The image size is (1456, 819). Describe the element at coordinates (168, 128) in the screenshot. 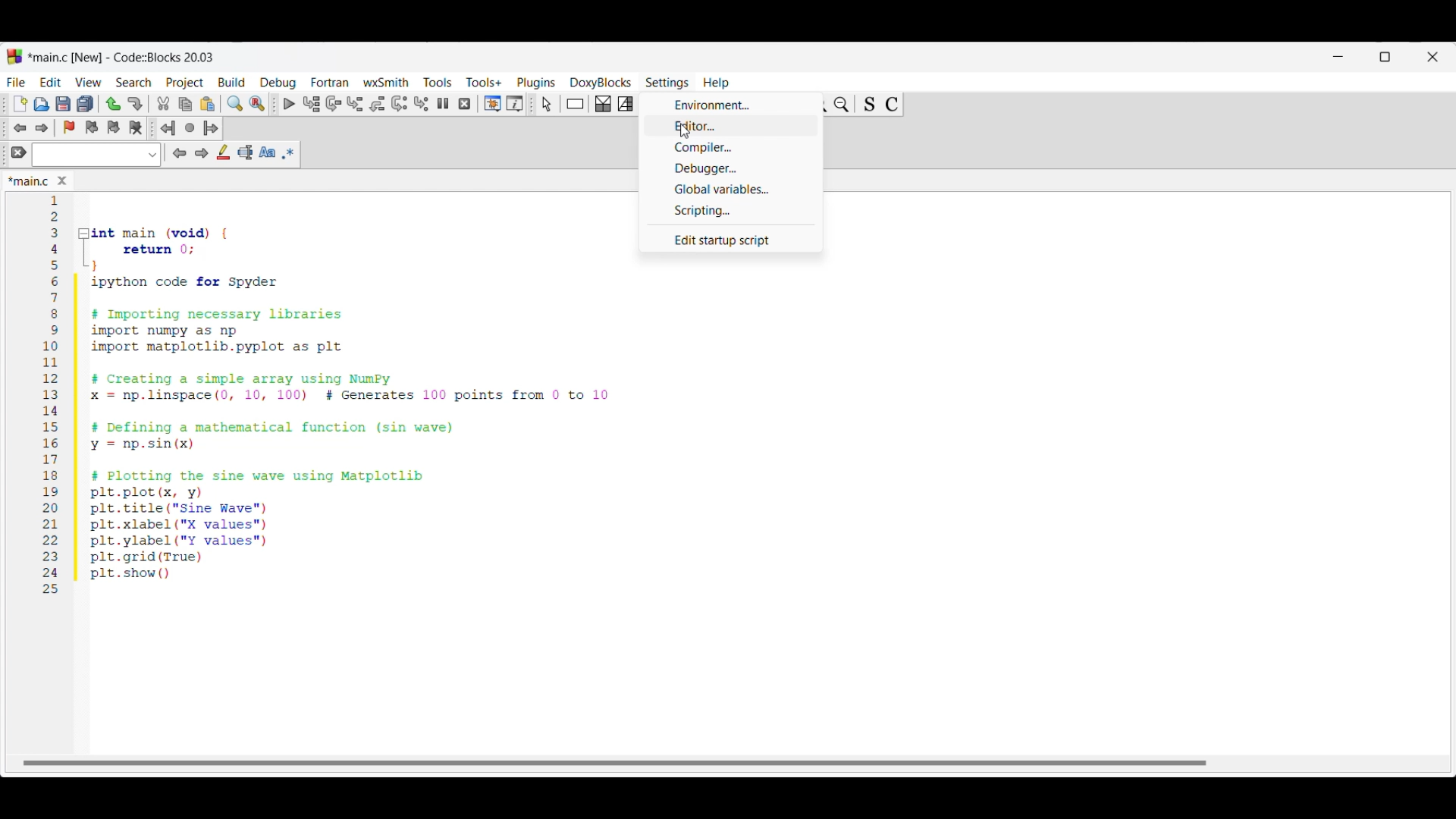

I see `Jump back` at that location.